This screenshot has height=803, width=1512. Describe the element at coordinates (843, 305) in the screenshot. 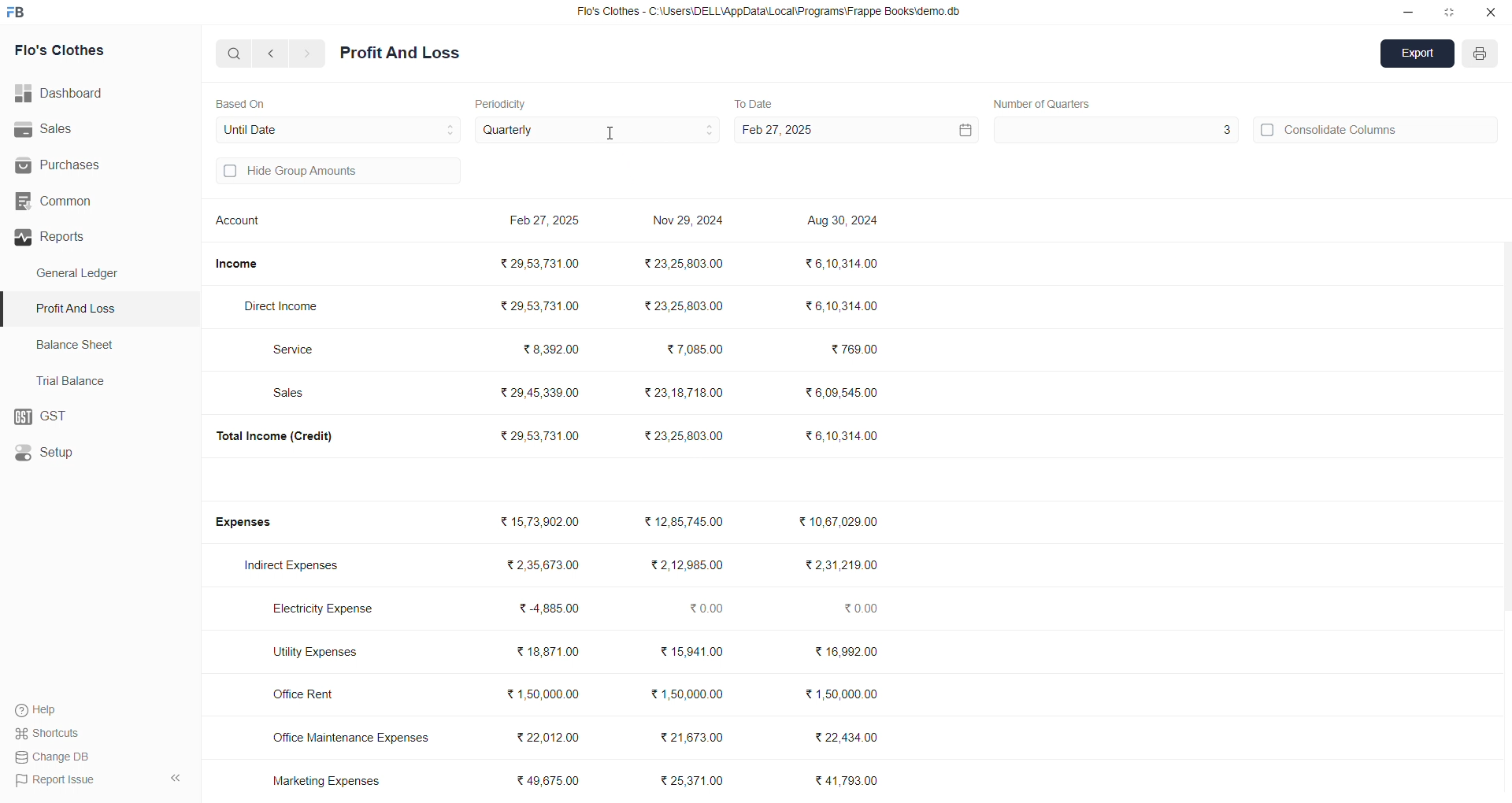

I see `₹6,10,314.00` at that location.